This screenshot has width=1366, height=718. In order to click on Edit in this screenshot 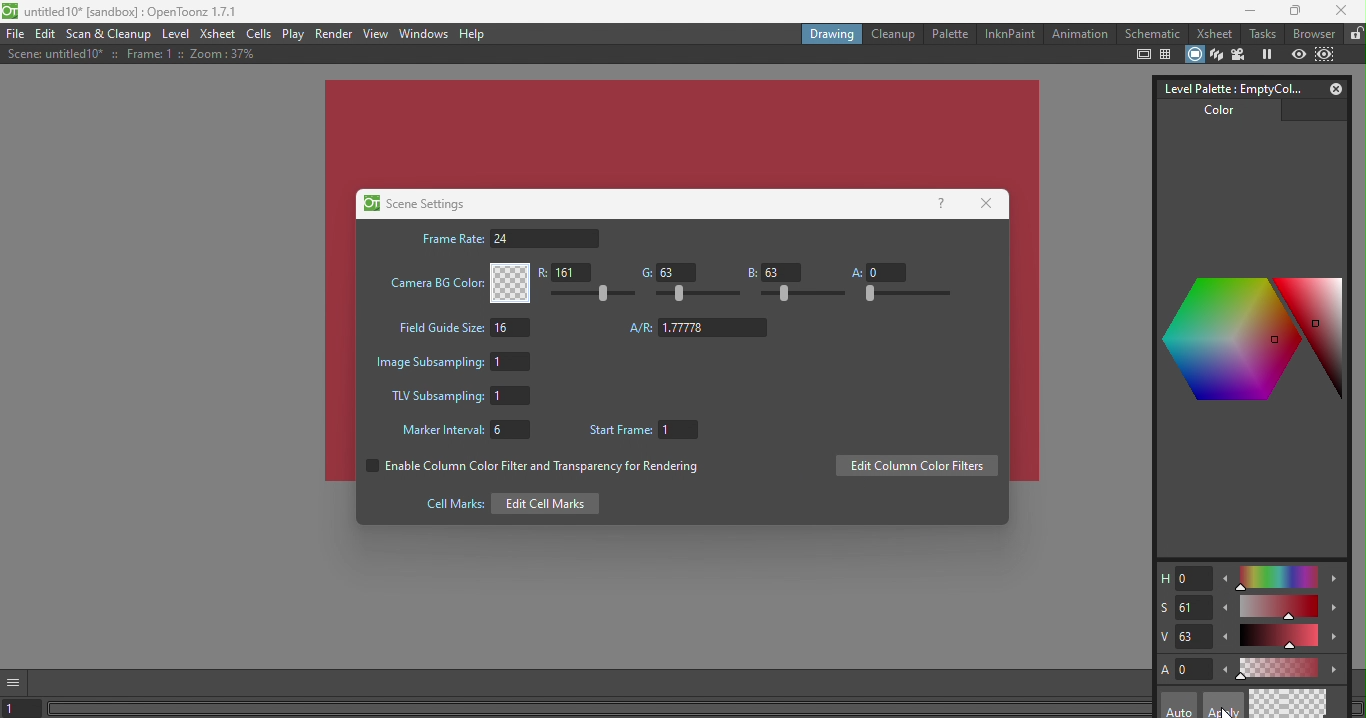, I will do `click(48, 35)`.